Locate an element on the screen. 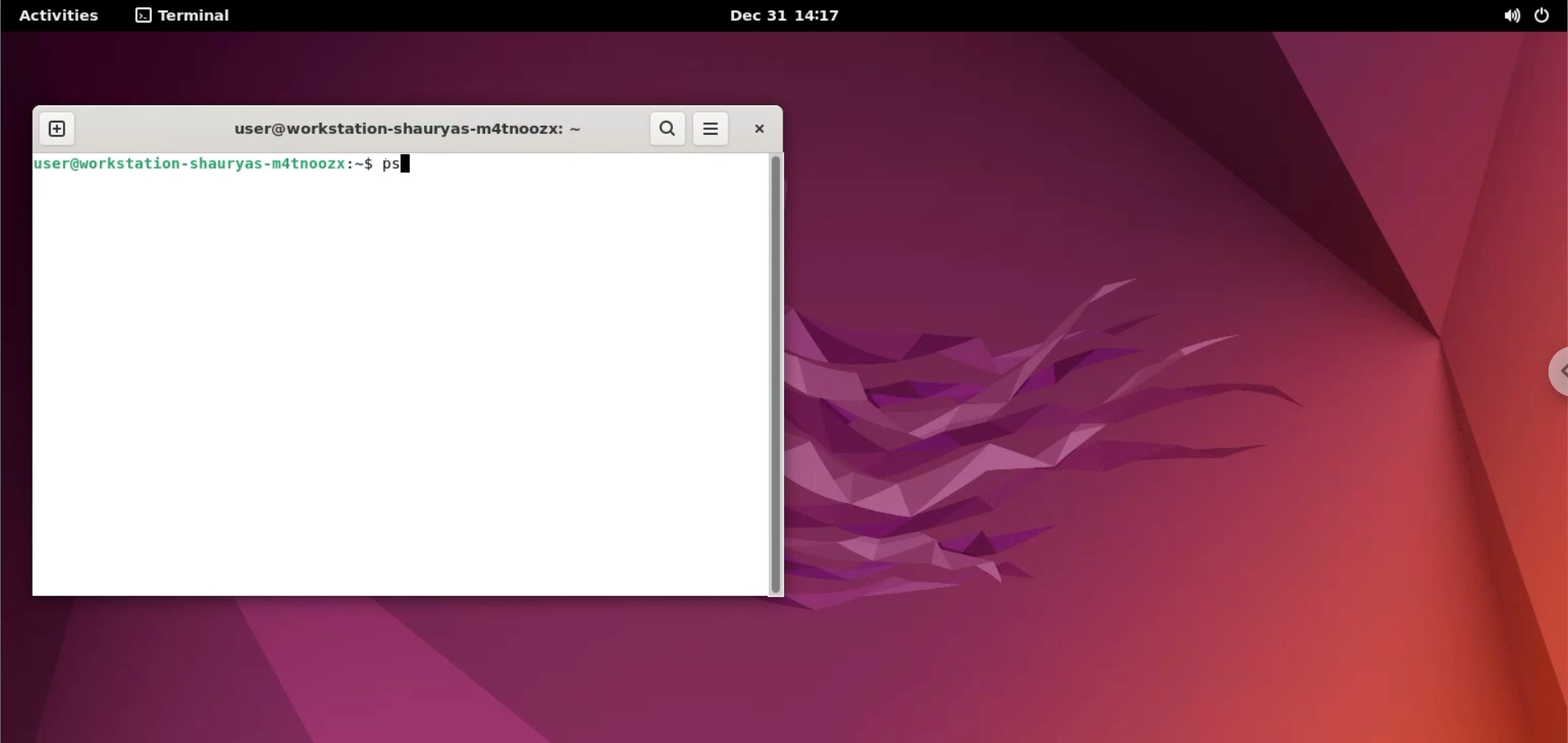  scrollbar is located at coordinates (773, 376).